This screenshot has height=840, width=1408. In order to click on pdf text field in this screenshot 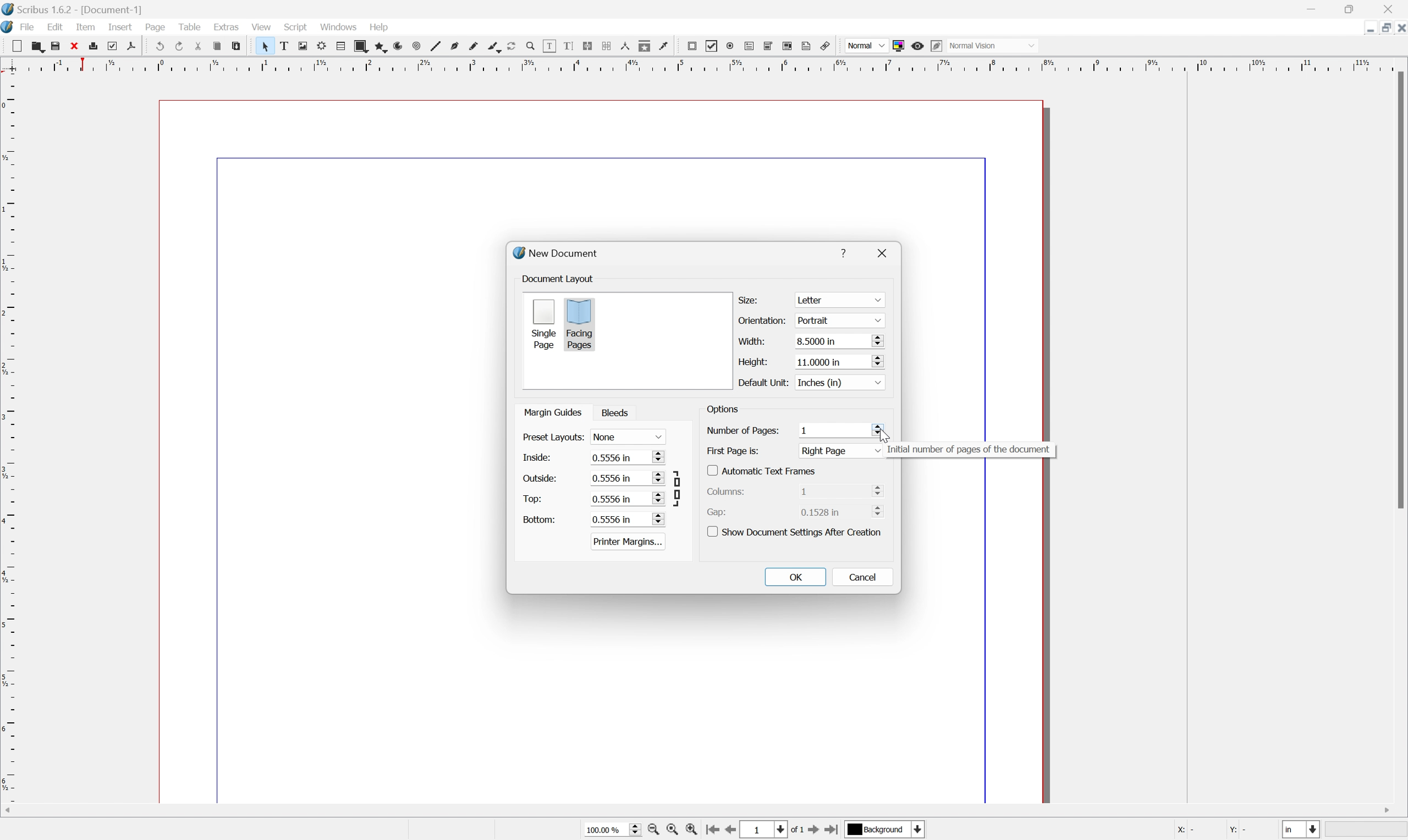, I will do `click(751, 45)`.